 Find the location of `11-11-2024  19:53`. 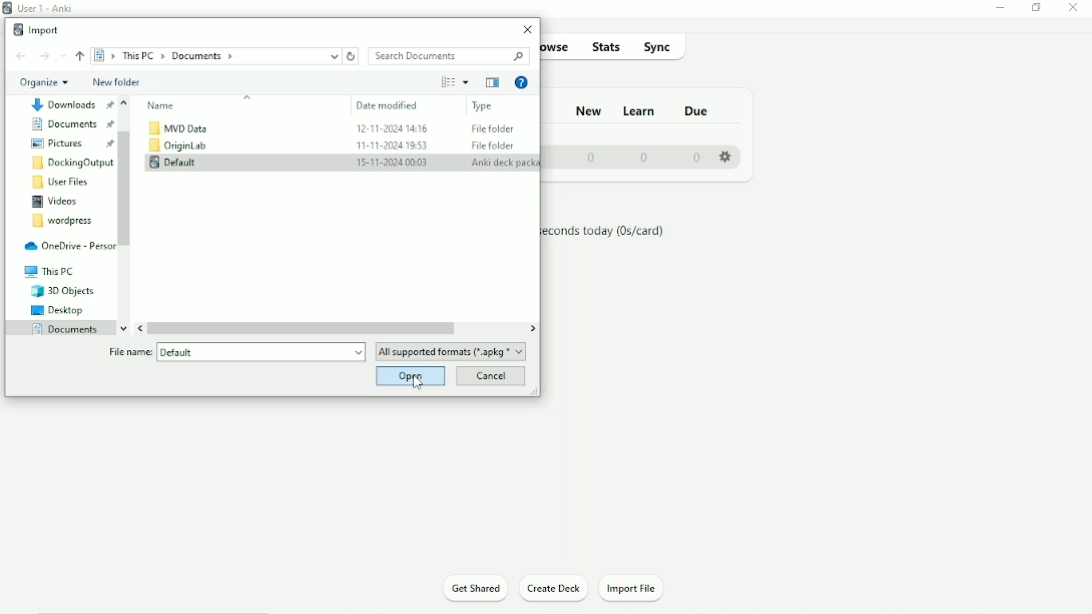

11-11-2024  19:53 is located at coordinates (394, 145).